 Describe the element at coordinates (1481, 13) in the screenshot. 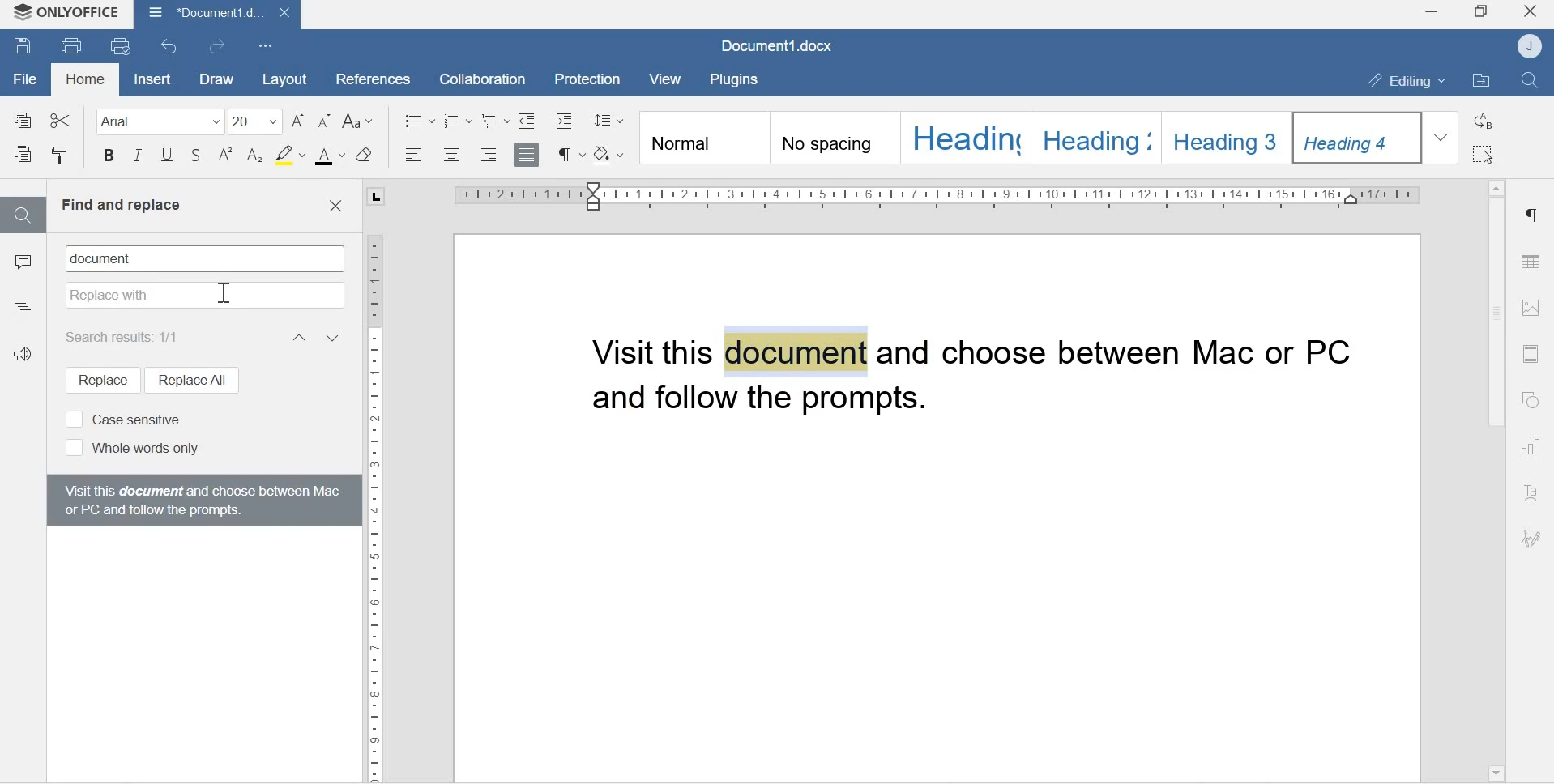

I see `Maximize` at that location.